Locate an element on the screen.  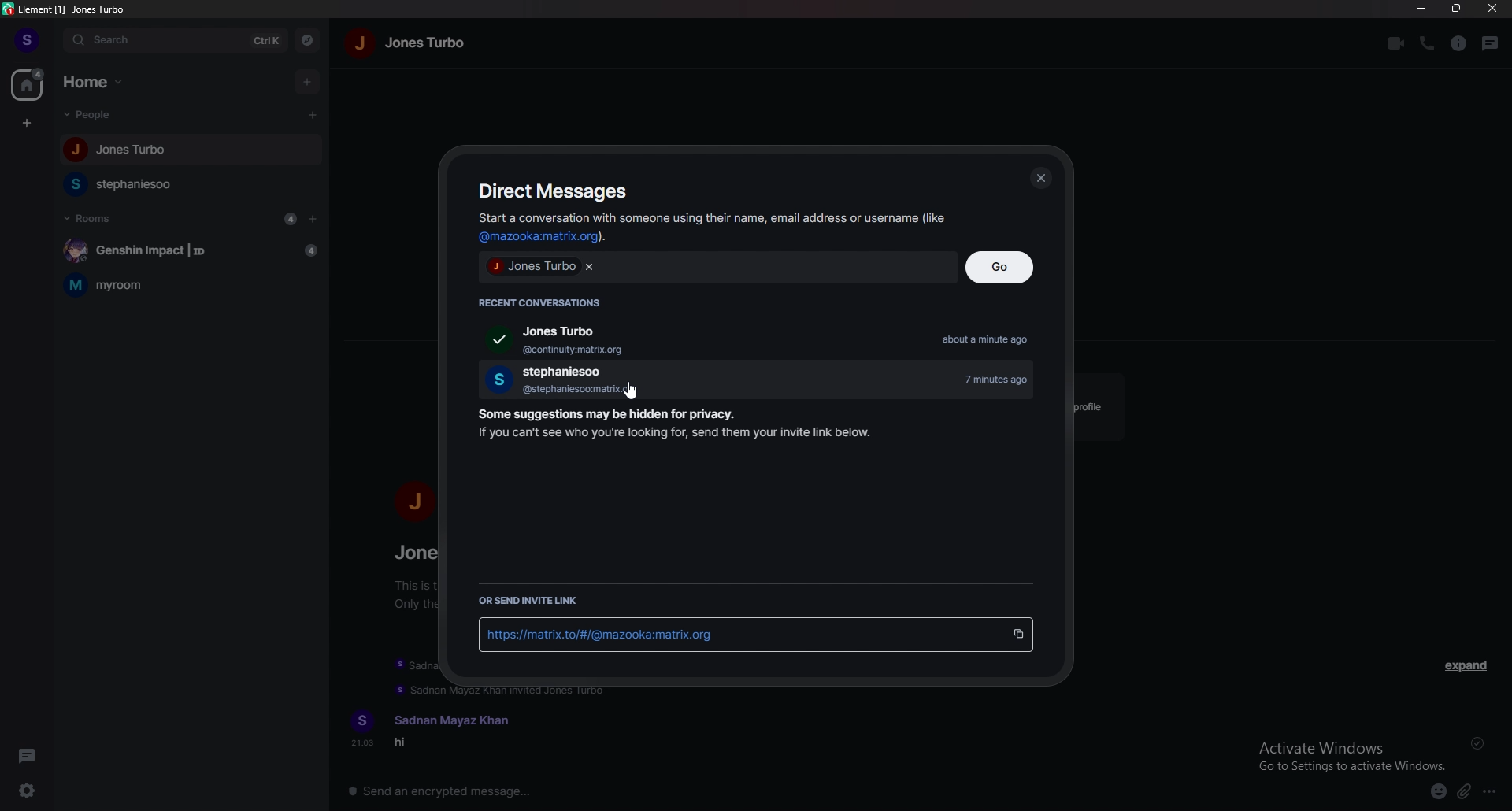
emoji is located at coordinates (1438, 792).